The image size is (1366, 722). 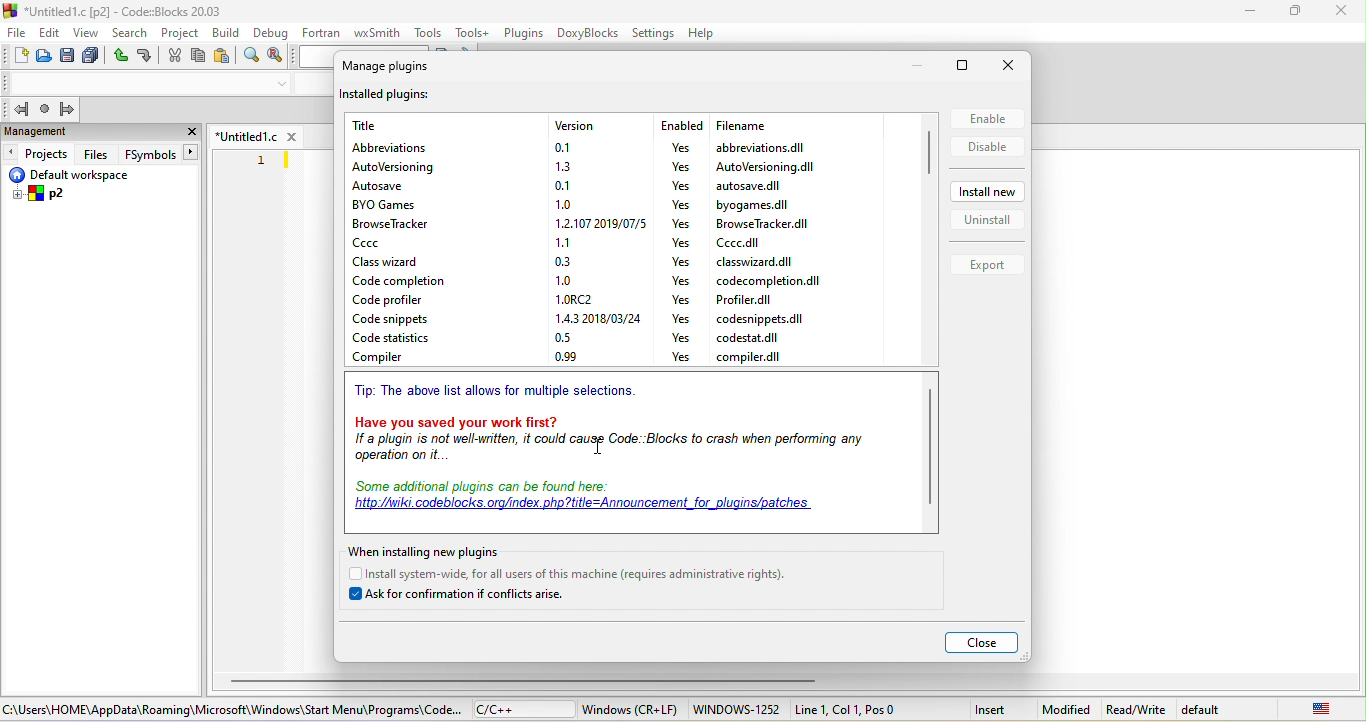 What do you see at coordinates (681, 261) in the screenshot?
I see `yes` at bounding box center [681, 261].